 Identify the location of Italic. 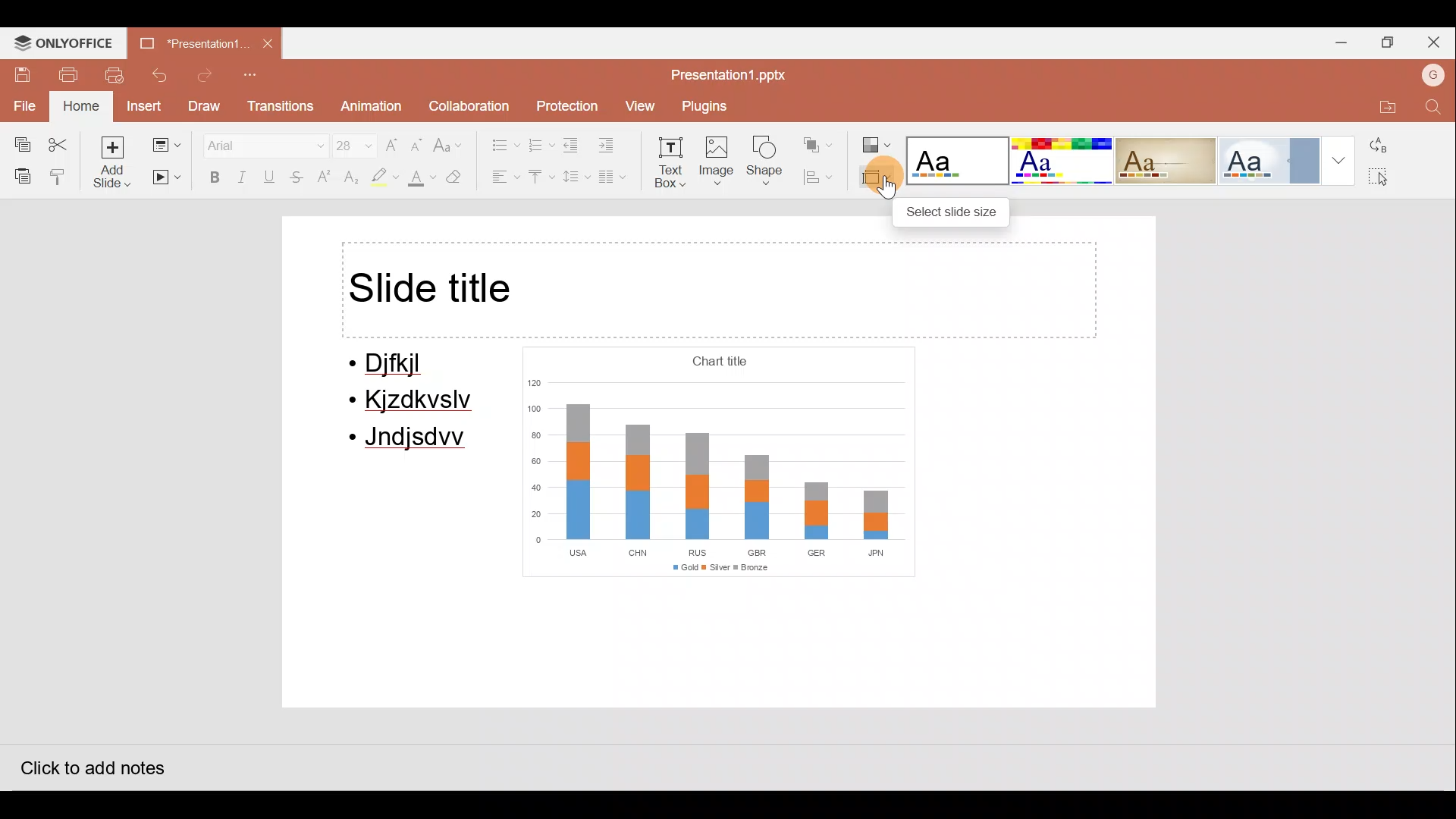
(243, 176).